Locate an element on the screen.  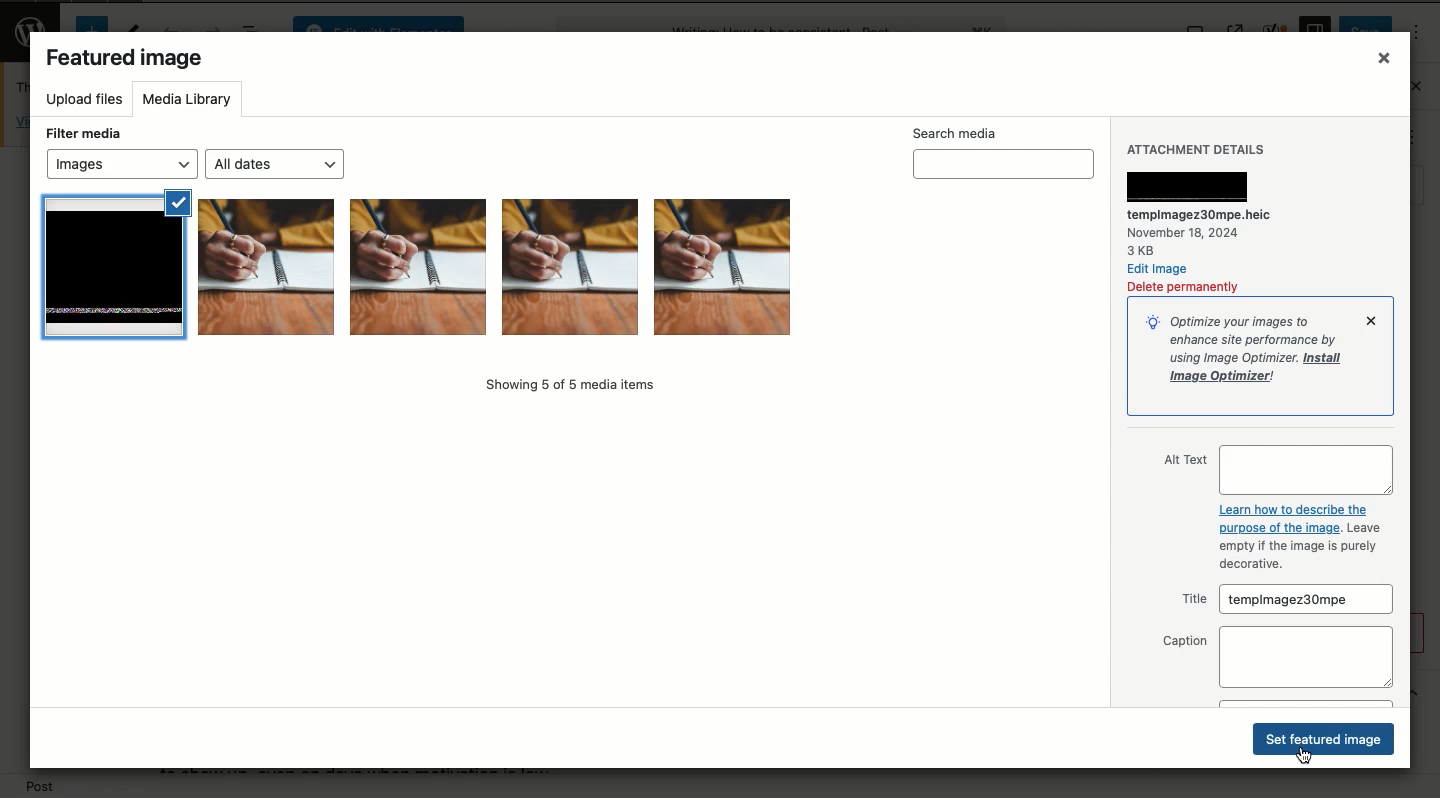
Search media is located at coordinates (998, 154).